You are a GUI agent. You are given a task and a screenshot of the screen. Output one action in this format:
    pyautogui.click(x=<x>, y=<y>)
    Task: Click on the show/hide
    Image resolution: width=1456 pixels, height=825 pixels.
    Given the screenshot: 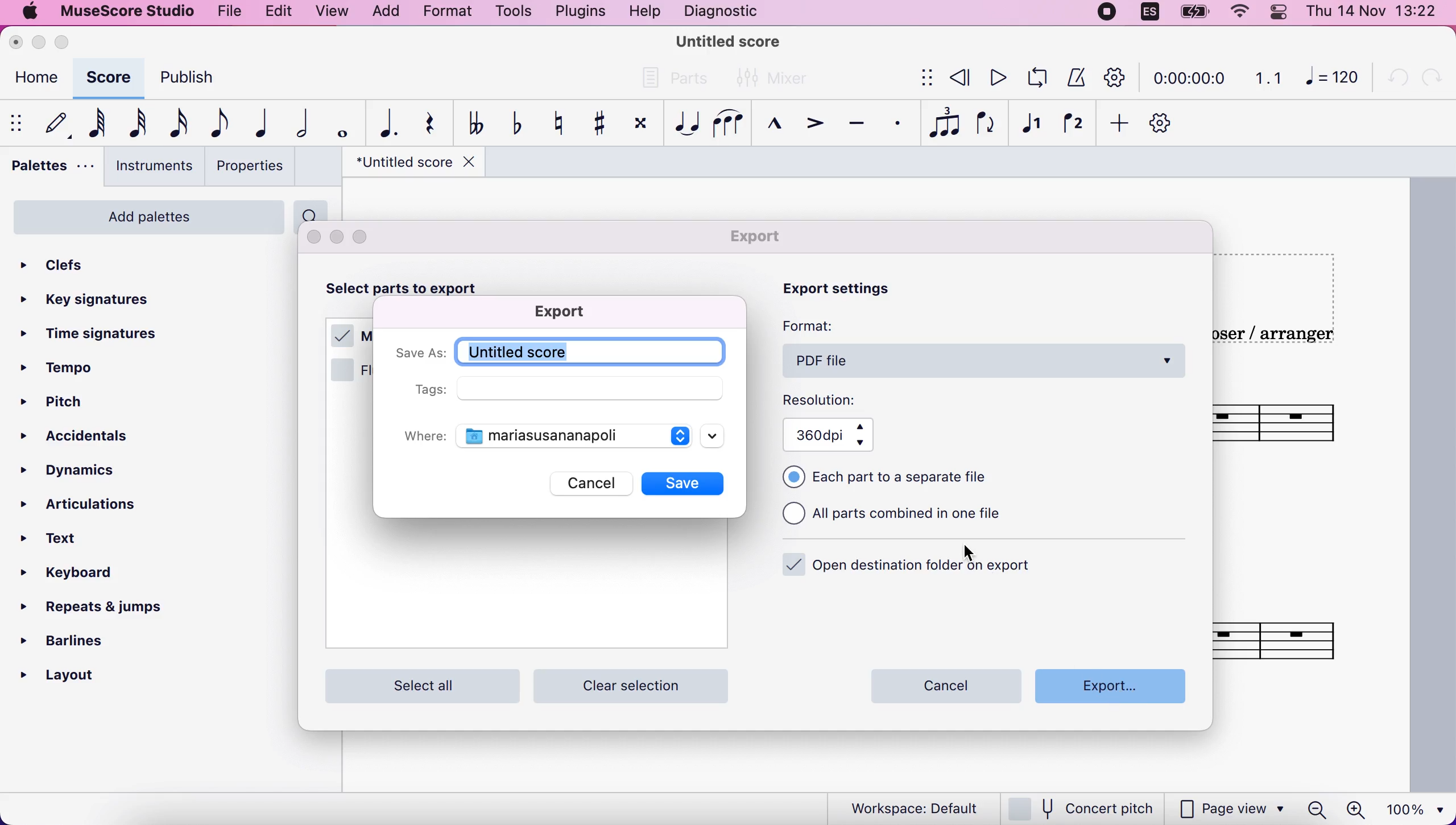 What is the action you would take?
    pyautogui.click(x=15, y=122)
    